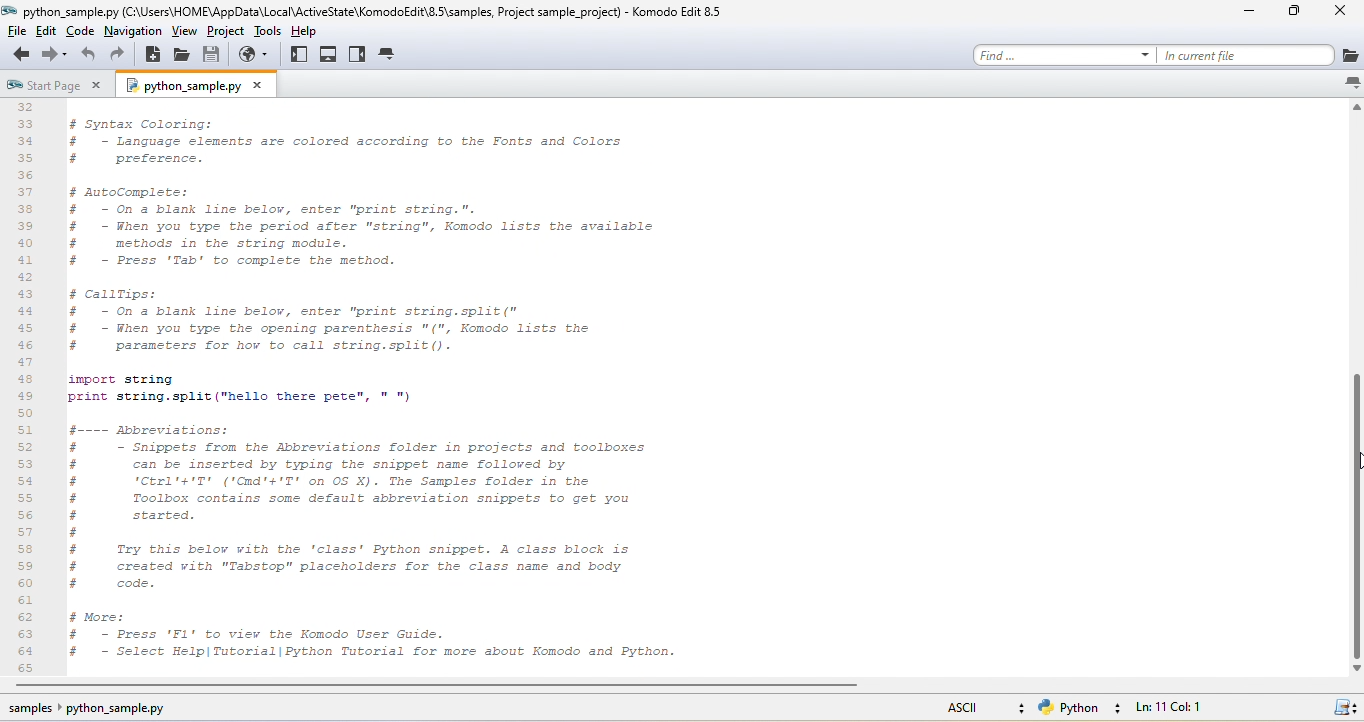  Describe the element at coordinates (216, 56) in the screenshot. I see `save` at that location.